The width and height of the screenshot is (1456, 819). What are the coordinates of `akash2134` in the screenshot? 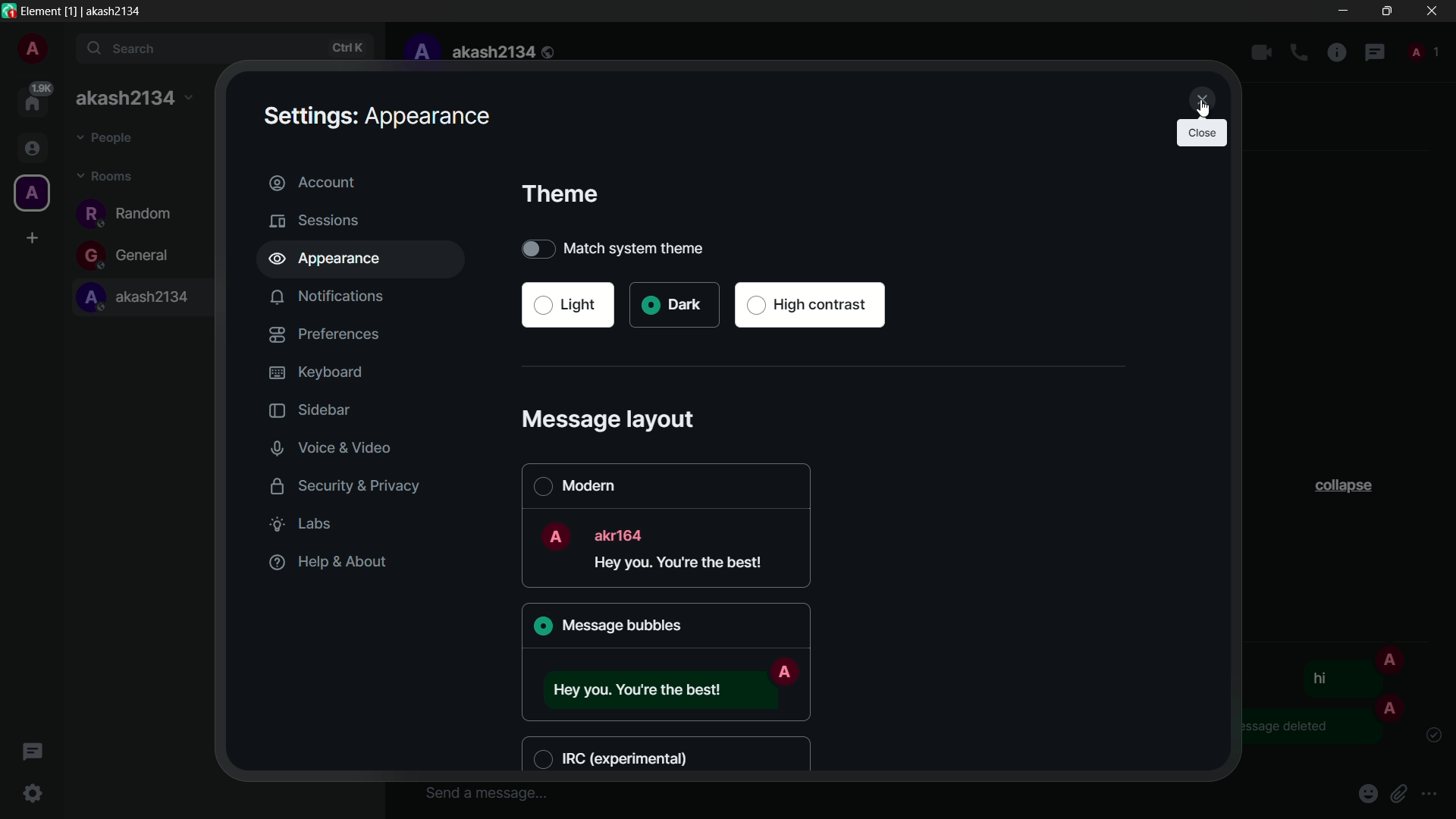 It's located at (504, 52).